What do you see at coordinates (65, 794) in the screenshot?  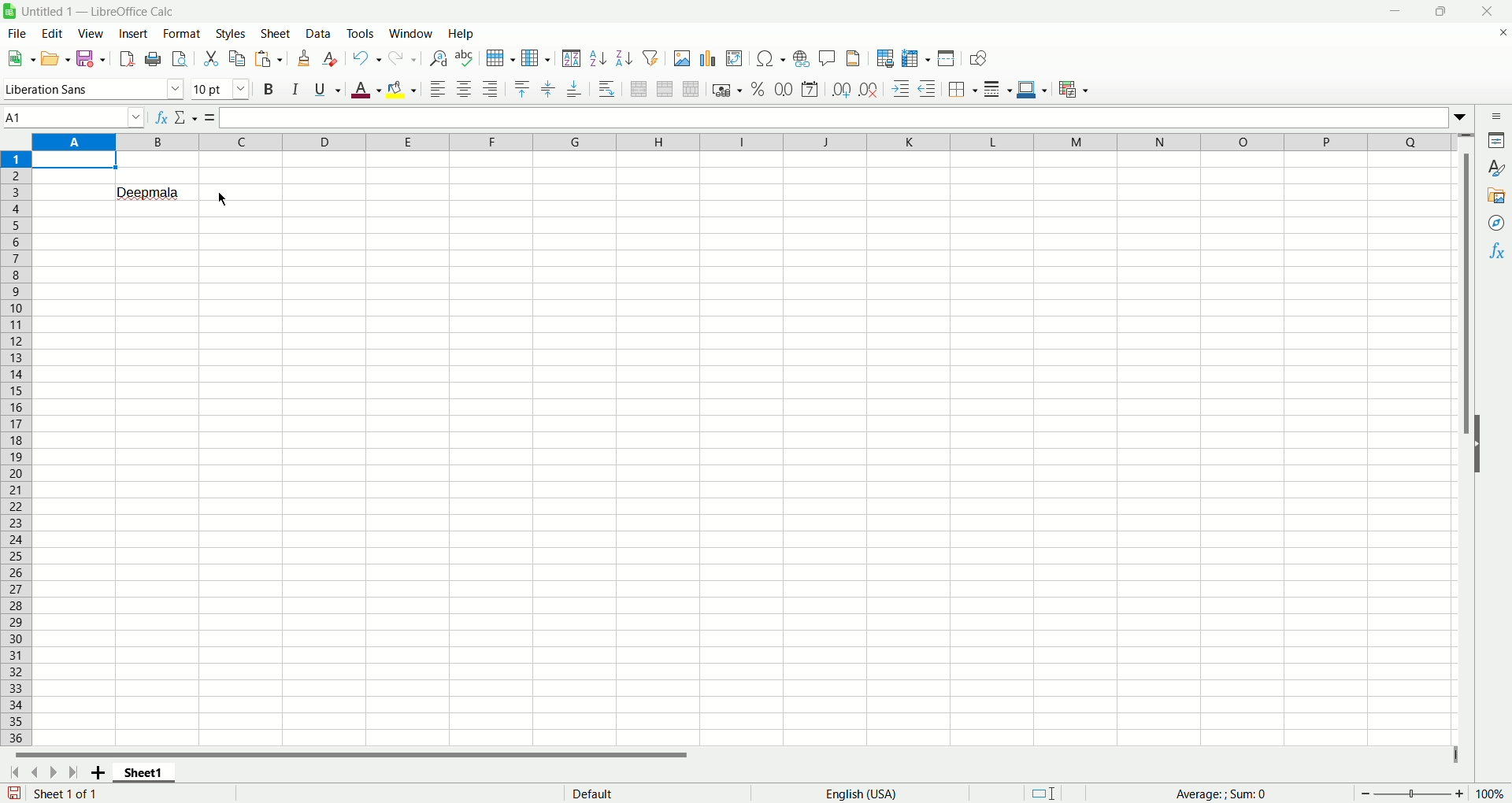 I see `sheet 1 of 1` at bounding box center [65, 794].